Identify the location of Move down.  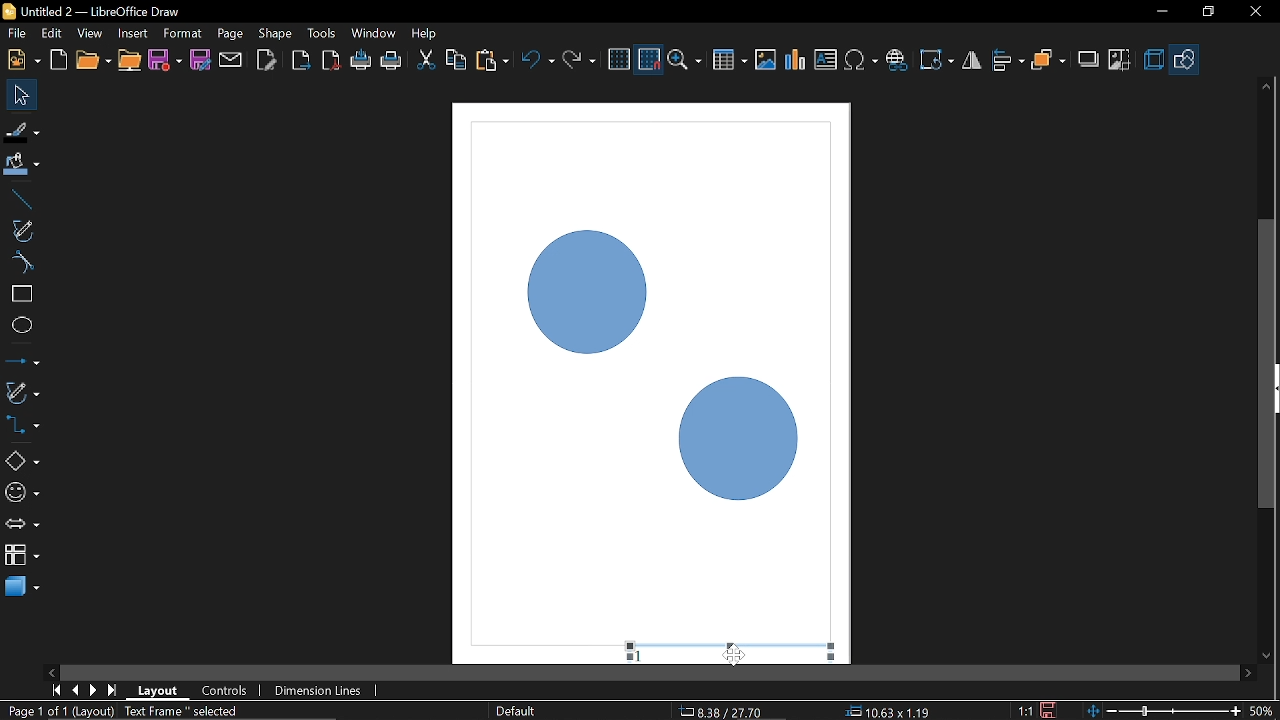
(1267, 657).